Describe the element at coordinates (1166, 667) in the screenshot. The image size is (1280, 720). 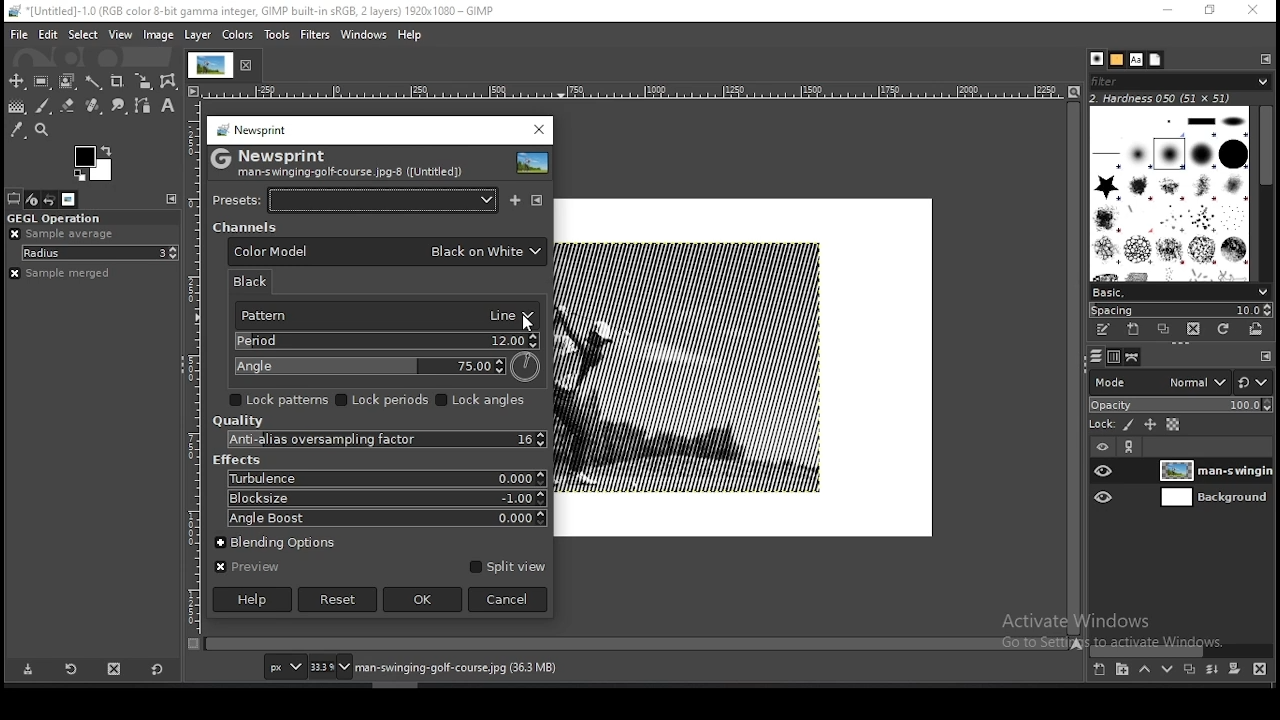
I see `move layer one step down` at that location.